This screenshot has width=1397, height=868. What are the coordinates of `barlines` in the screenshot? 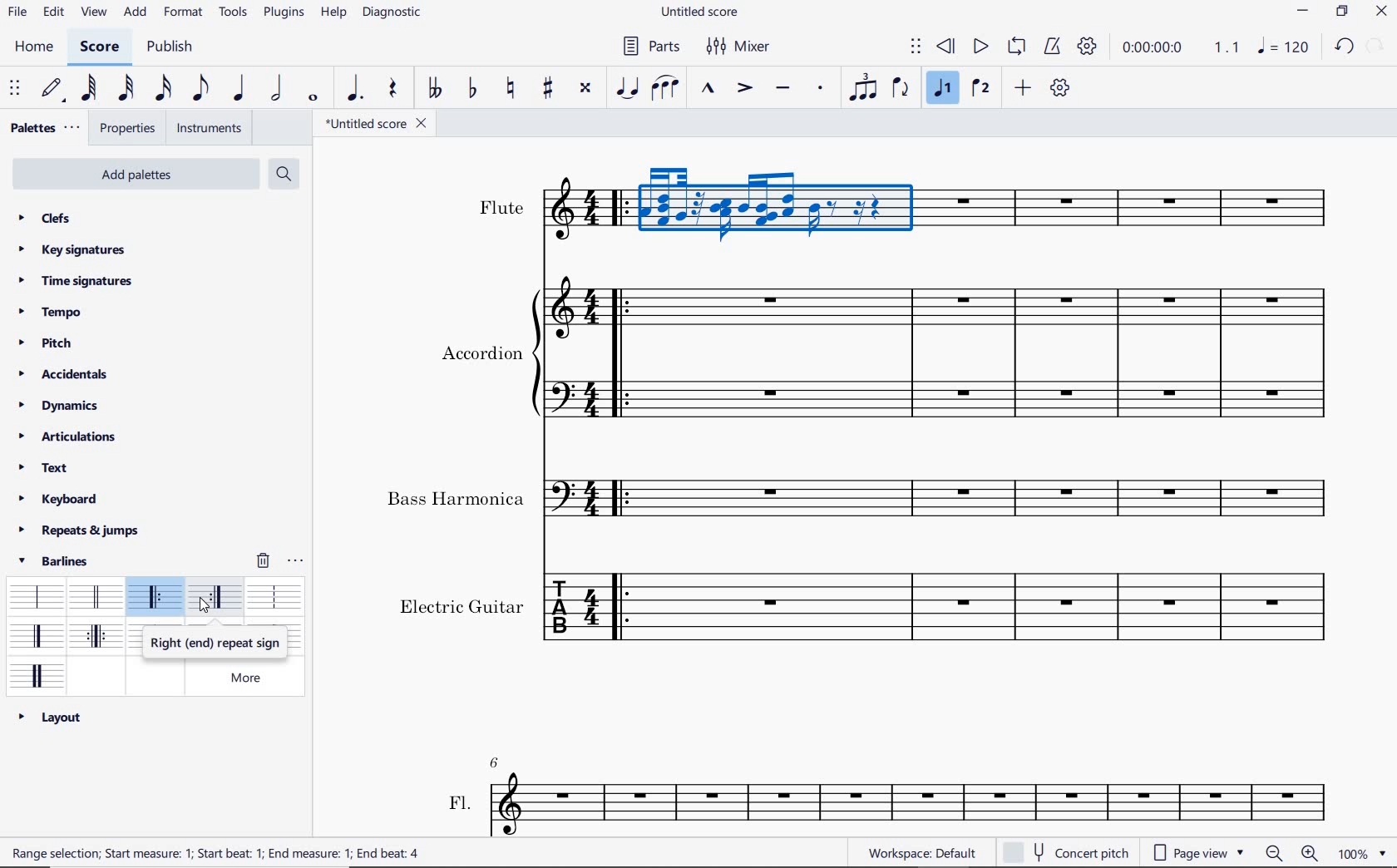 It's located at (59, 560).